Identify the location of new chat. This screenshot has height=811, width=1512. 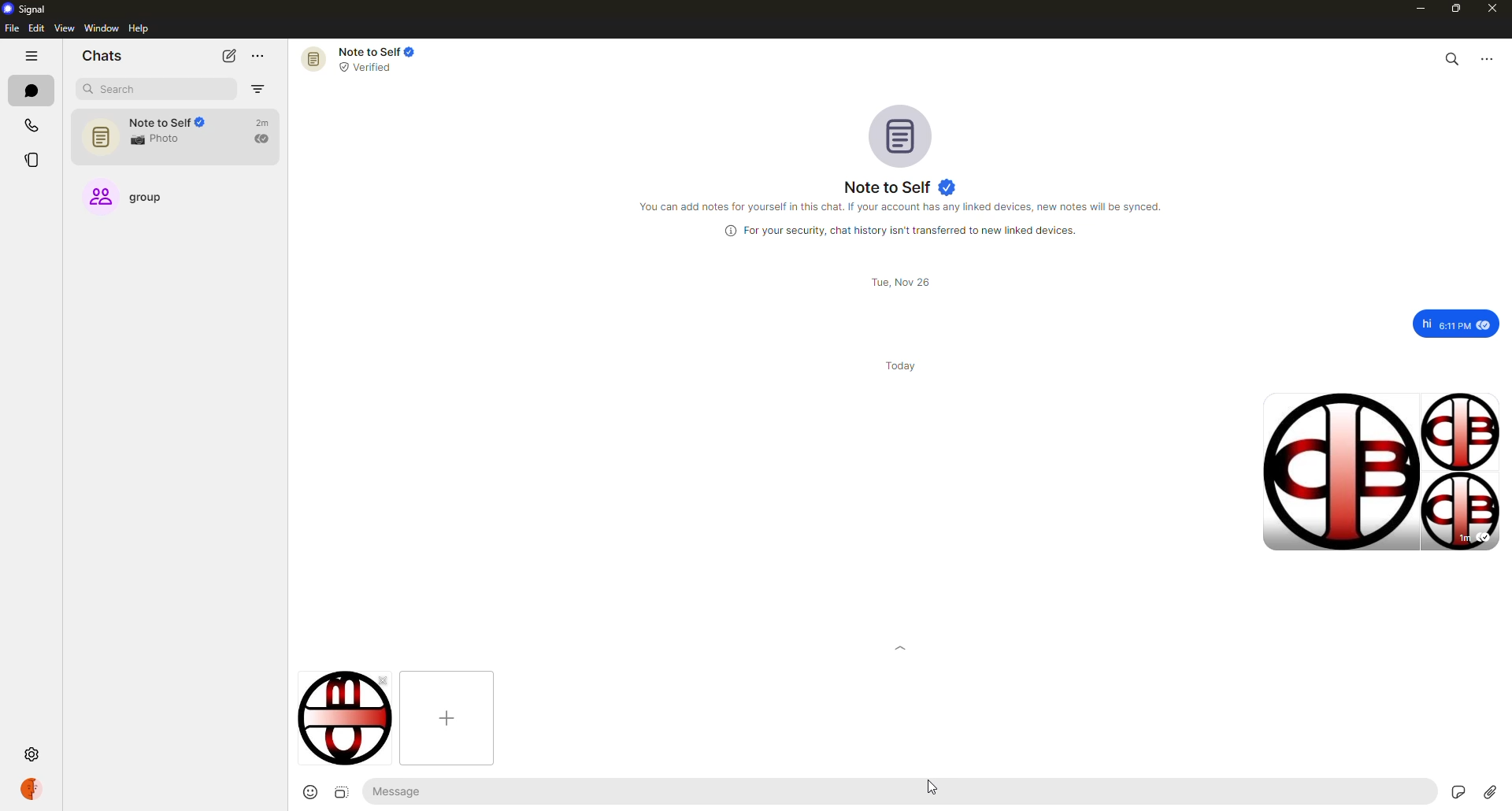
(229, 55).